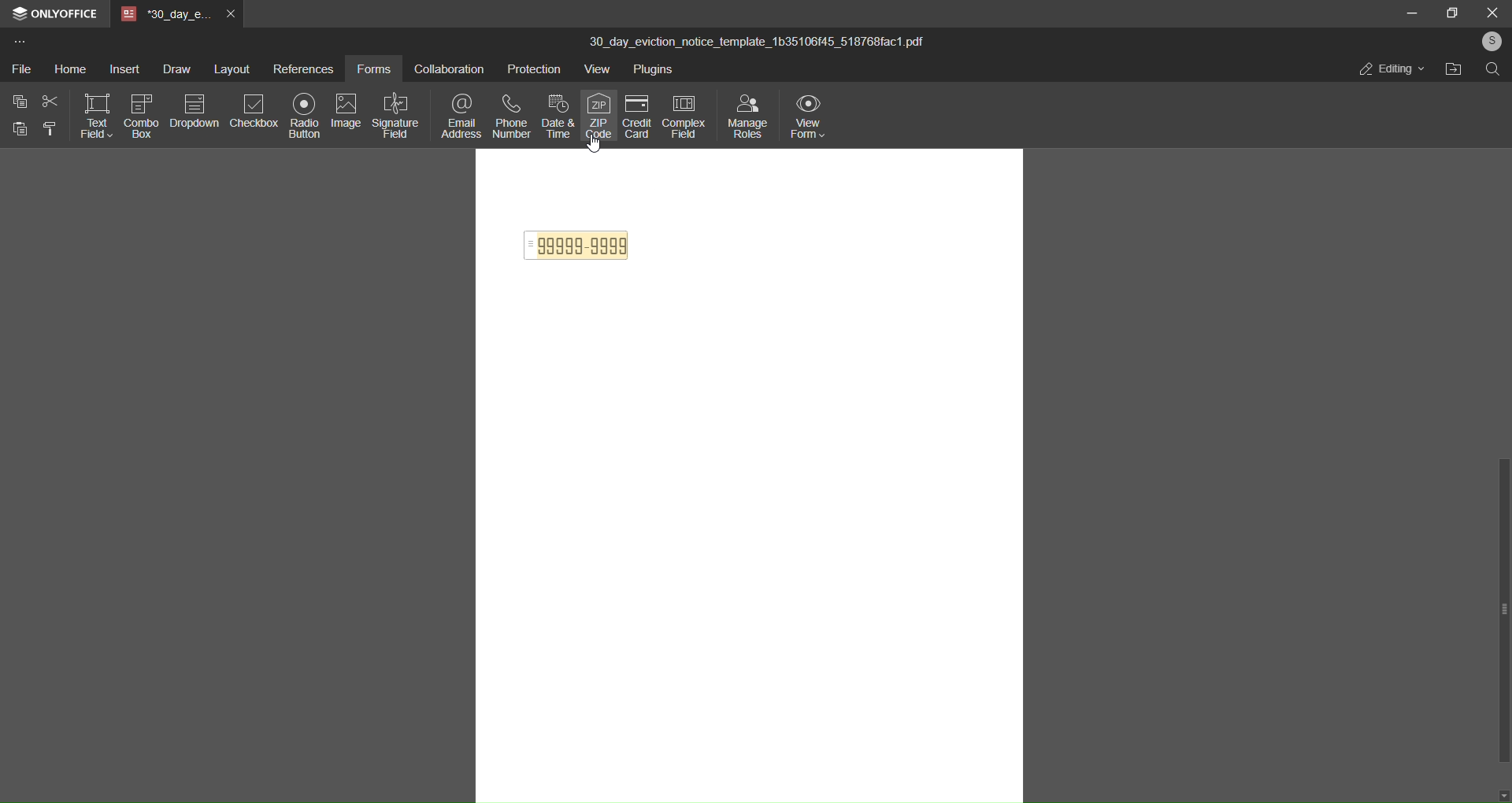  I want to click on credit card, so click(638, 118).